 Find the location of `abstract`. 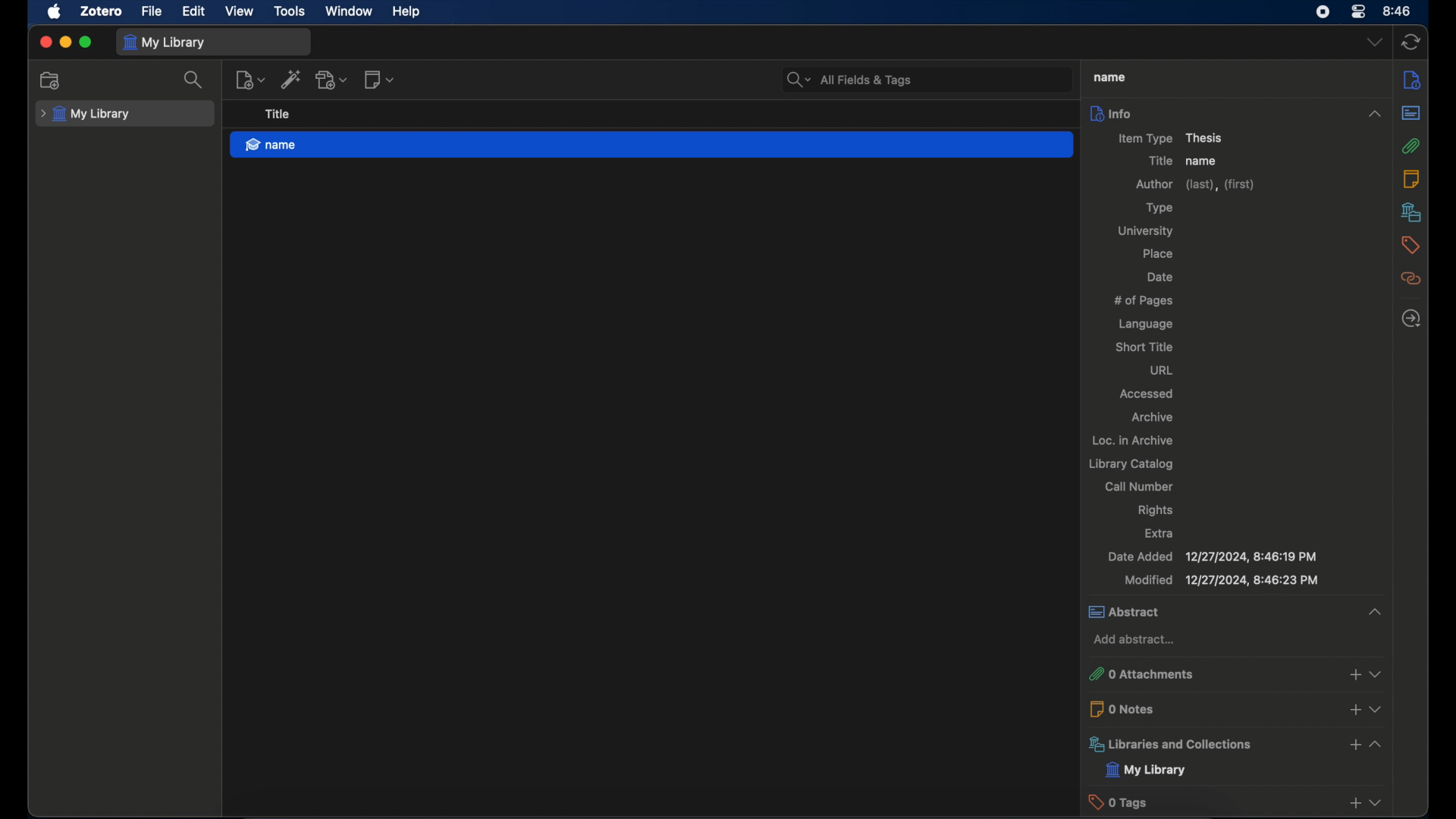

abstract is located at coordinates (1411, 114).